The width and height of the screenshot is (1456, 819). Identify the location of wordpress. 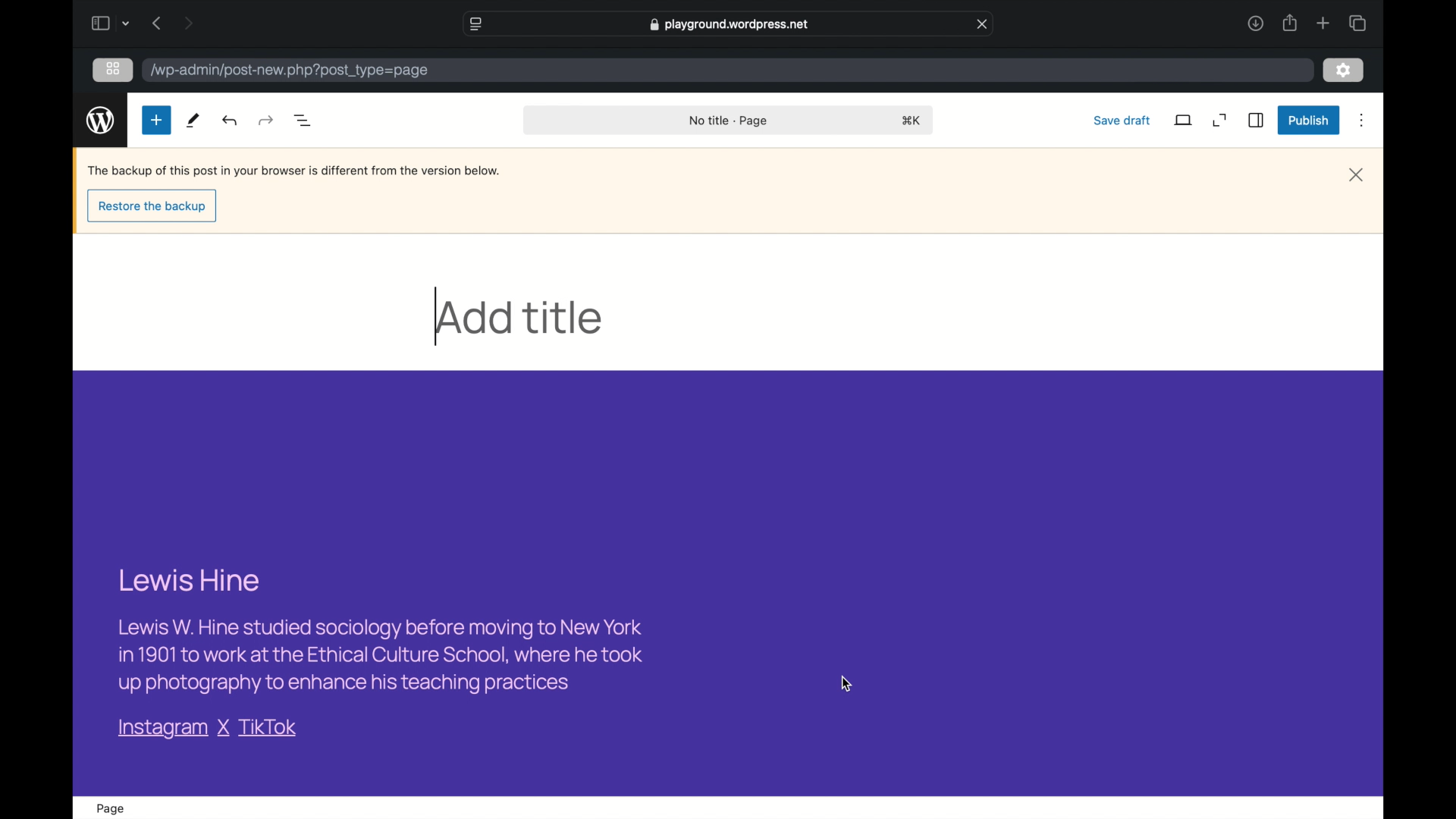
(100, 121).